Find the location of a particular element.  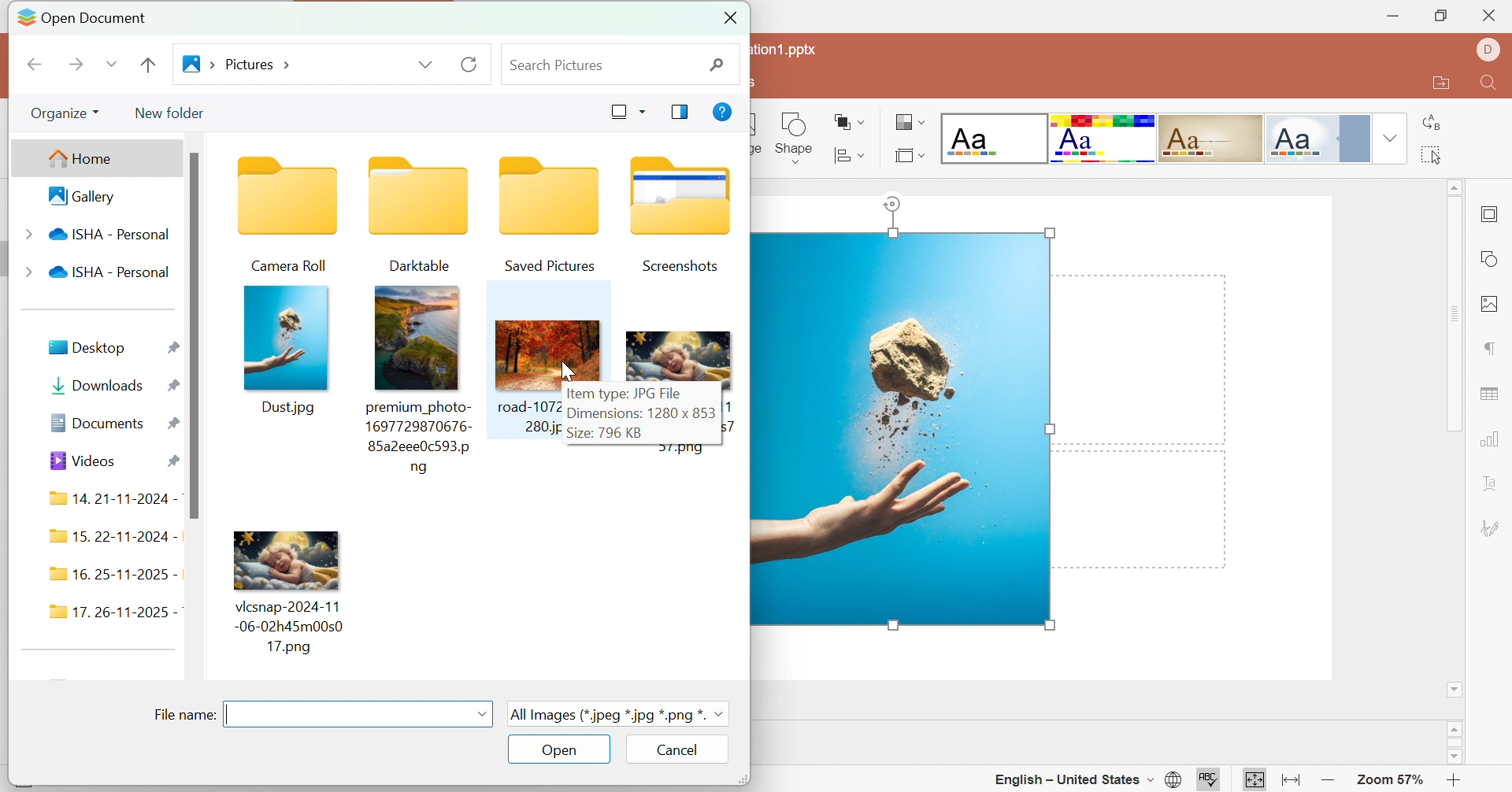

Typing cursor is located at coordinates (232, 713).